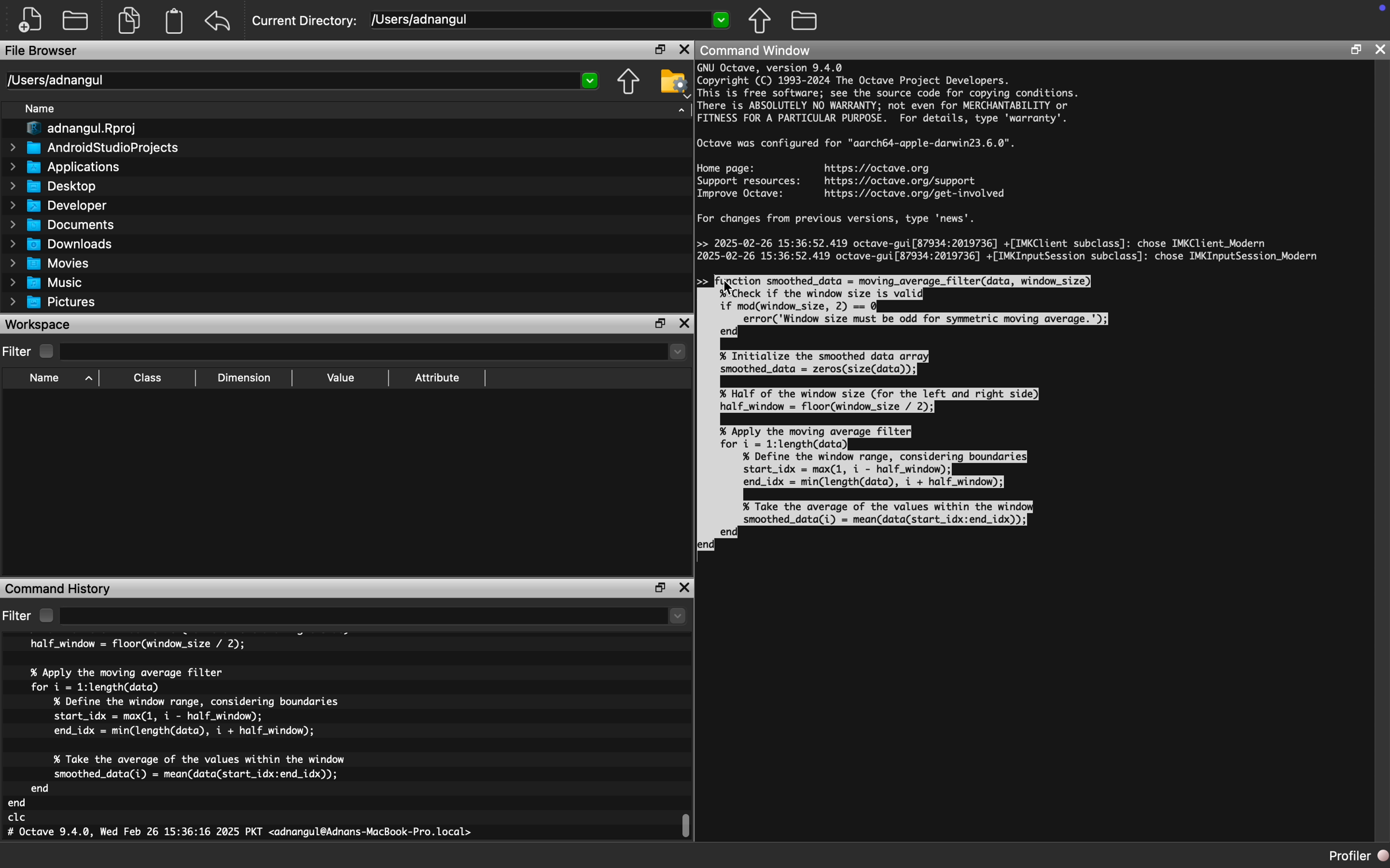  What do you see at coordinates (662, 588) in the screenshot?
I see `Restore Down` at bounding box center [662, 588].